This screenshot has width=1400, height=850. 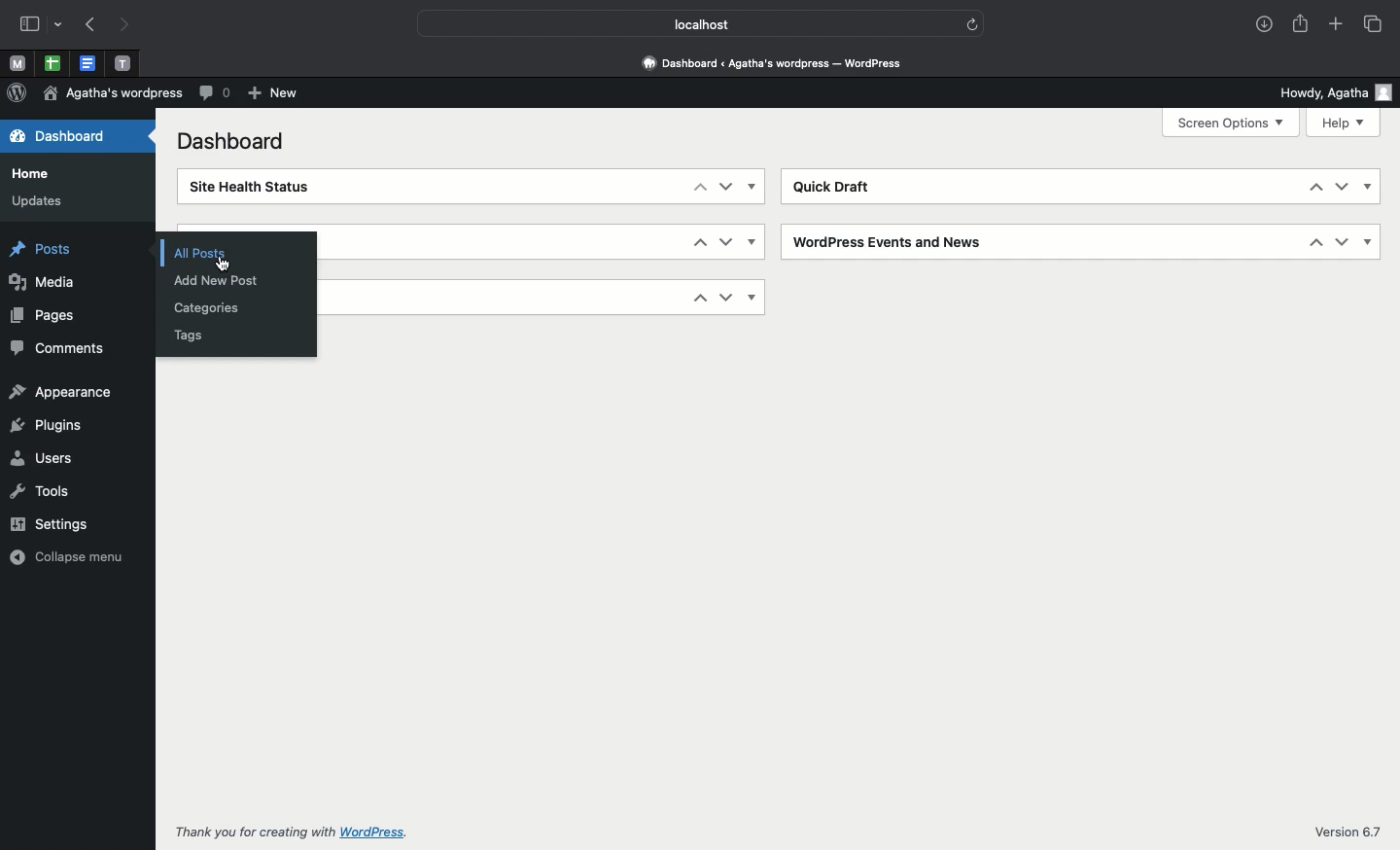 I want to click on Pinned tabs, so click(x=125, y=62).